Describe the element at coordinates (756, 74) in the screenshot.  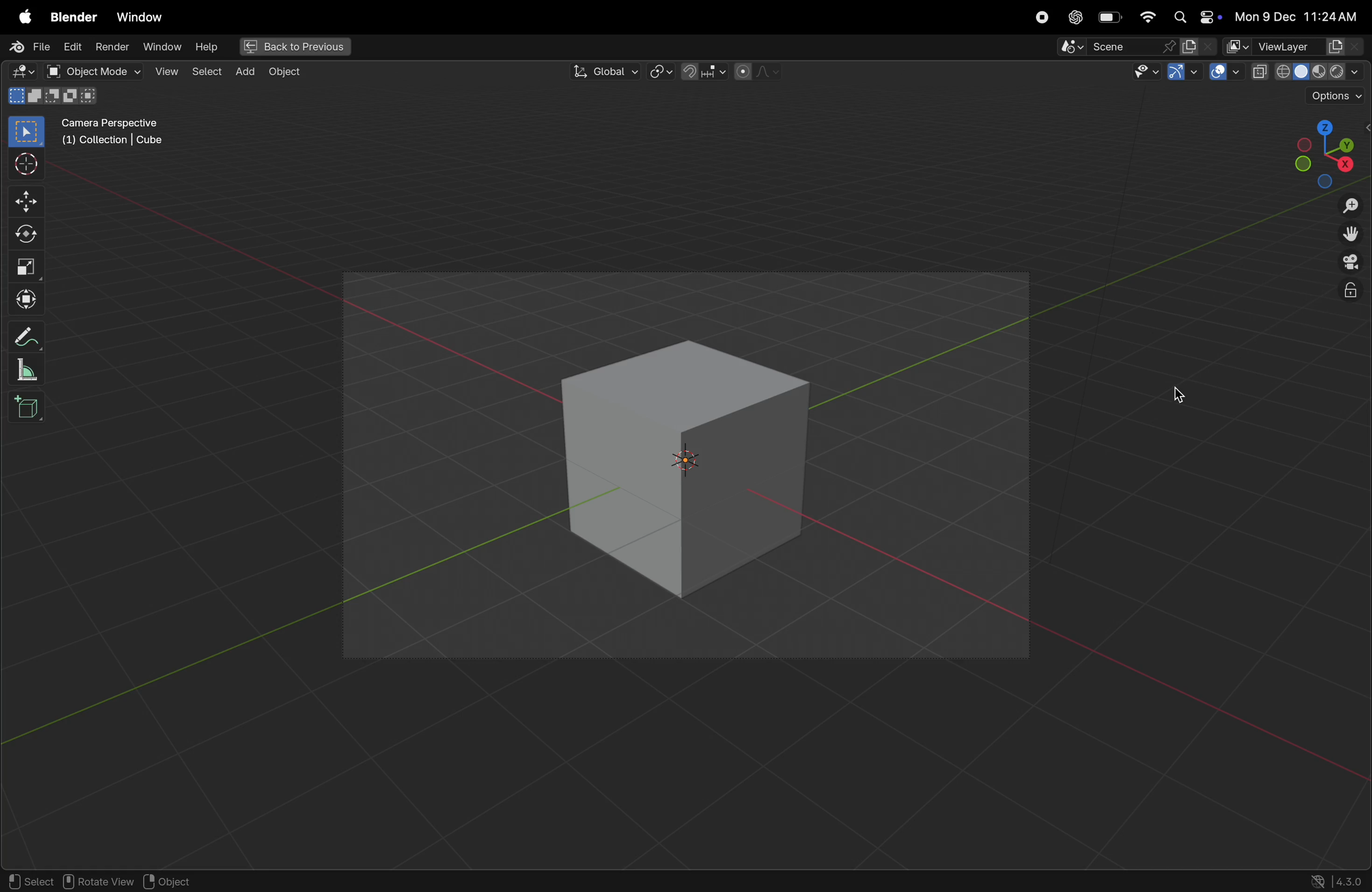
I see `proportional viewing objects` at that location.